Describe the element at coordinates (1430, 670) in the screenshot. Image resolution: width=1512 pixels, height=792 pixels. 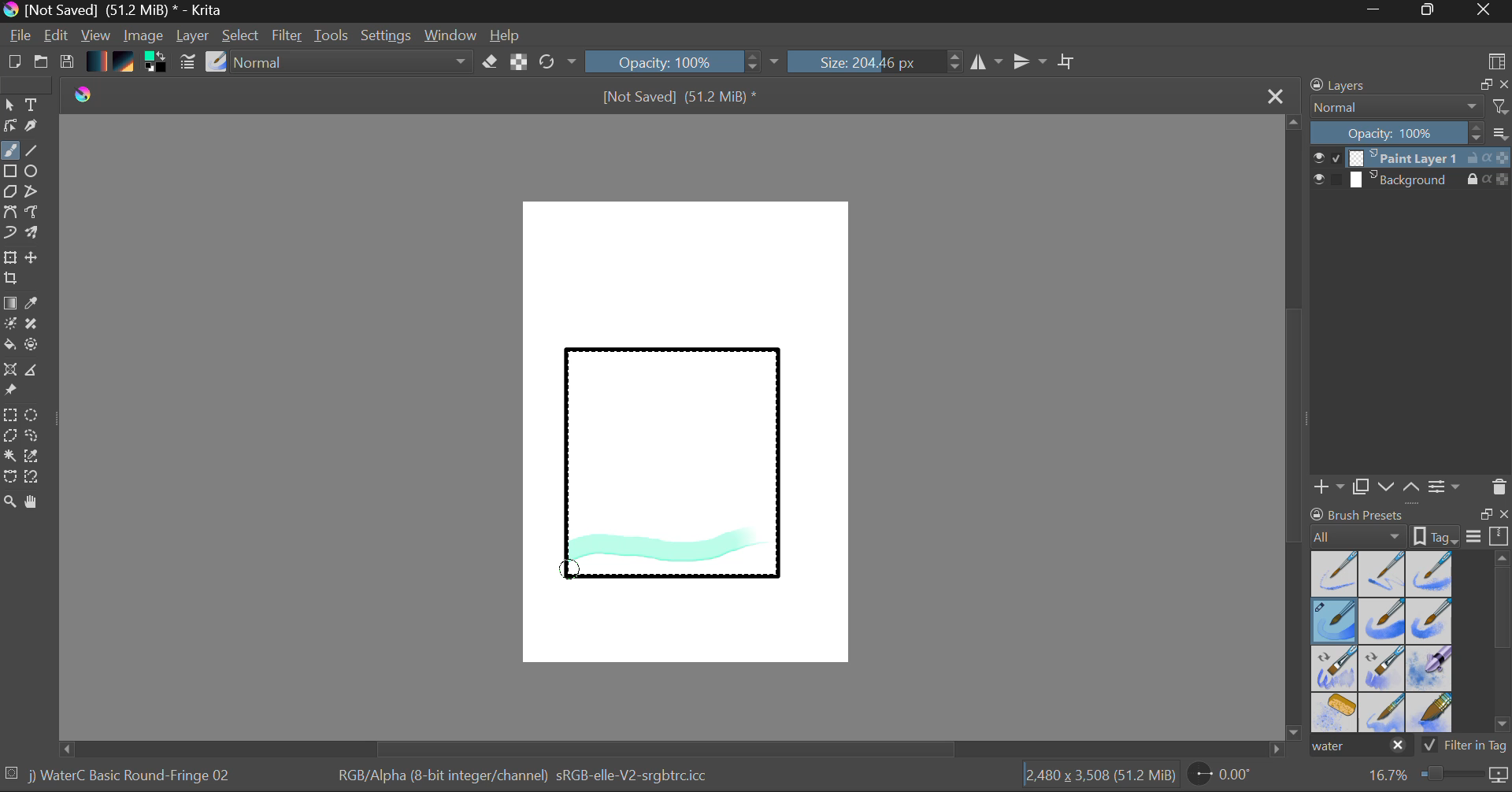
I see `Water C - Special Blobs` at that location.